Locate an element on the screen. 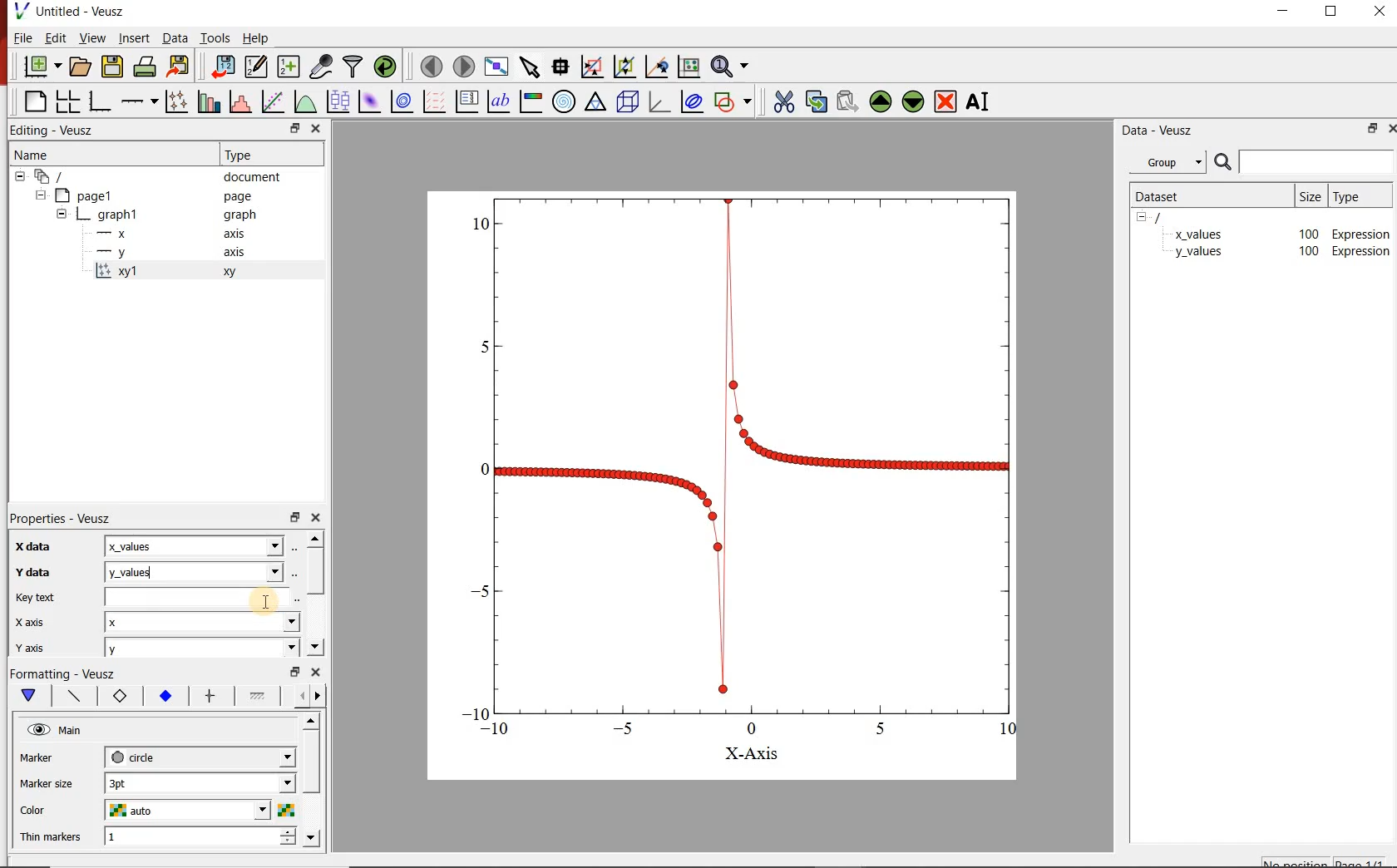  Editing - Veusz is located at coordinates (53, 131).